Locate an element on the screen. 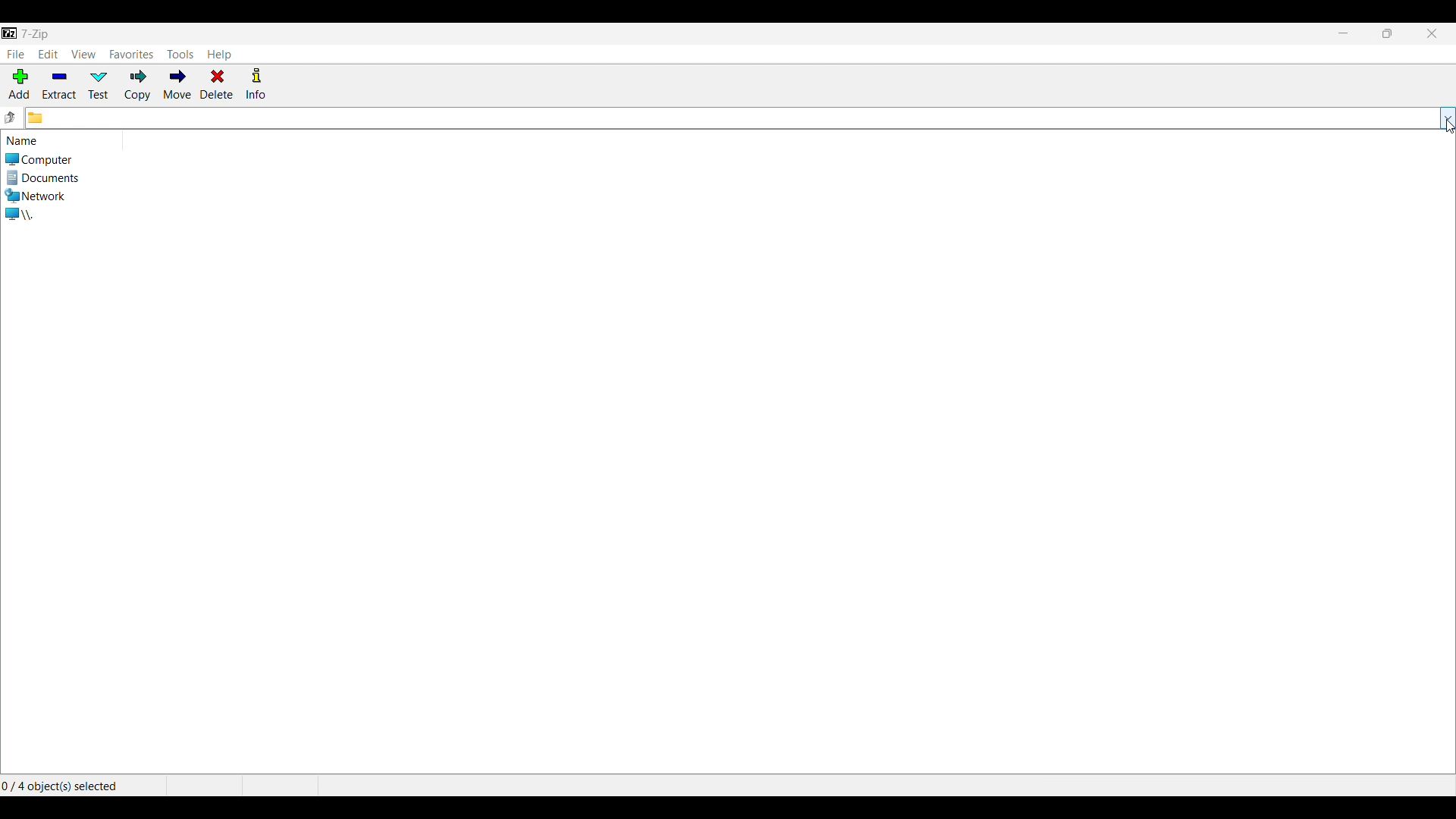 The height and width of the screenshot is (819, 1456). Delete is located at coordinates (217, 84).